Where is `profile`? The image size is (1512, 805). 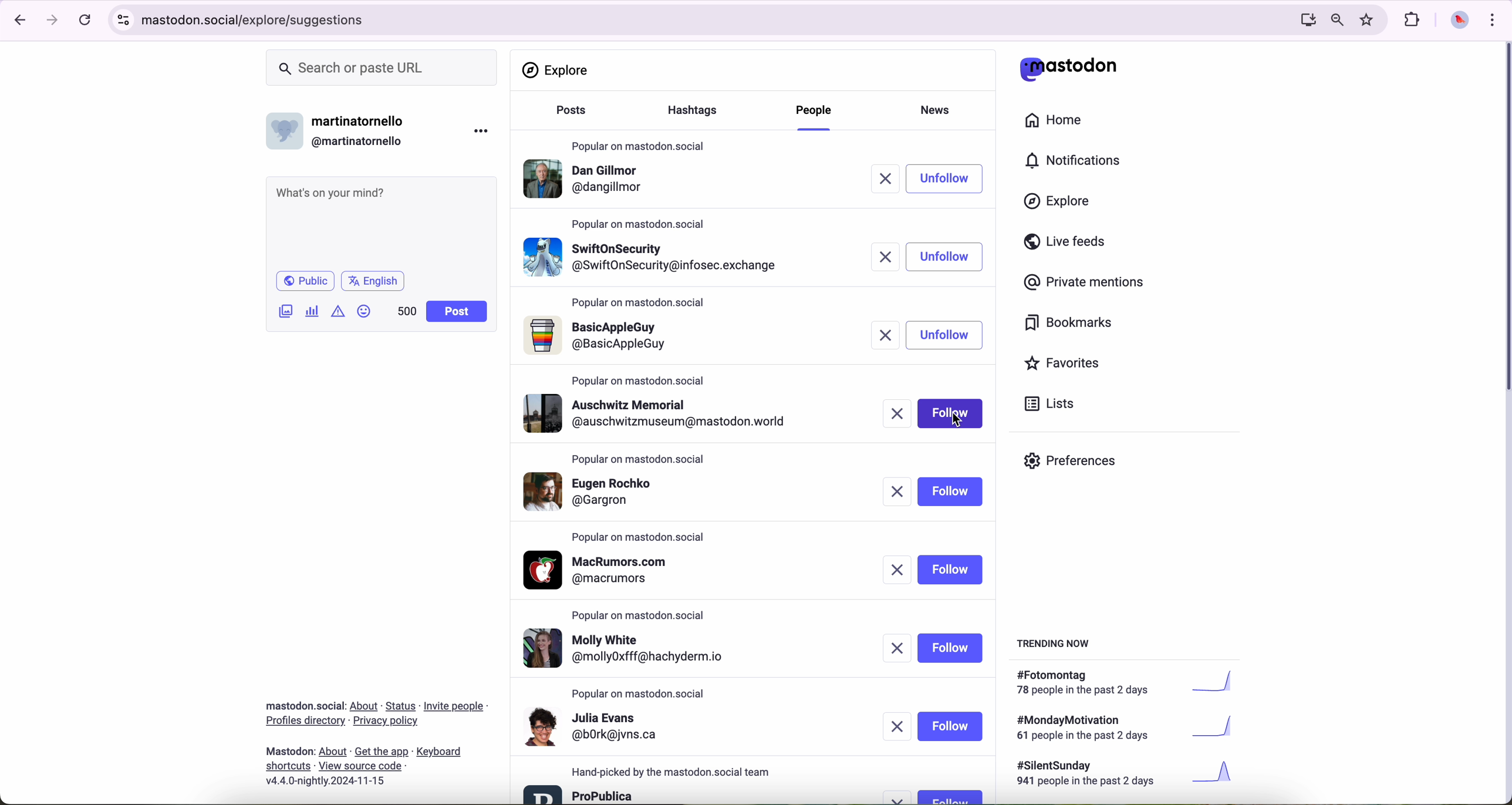 profile is located at coordinates (662, 413).